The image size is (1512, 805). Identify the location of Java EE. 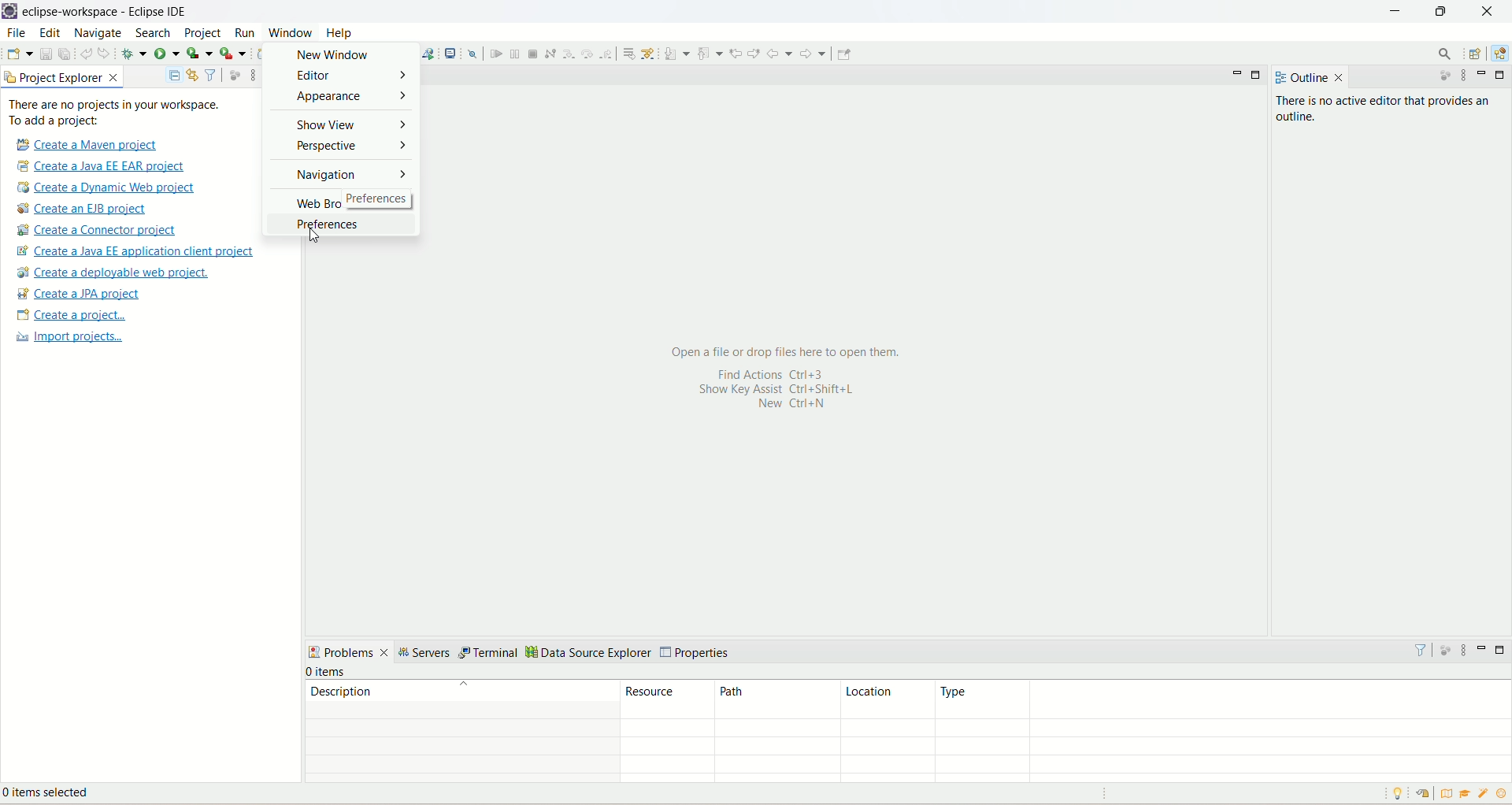
(1498, 56).